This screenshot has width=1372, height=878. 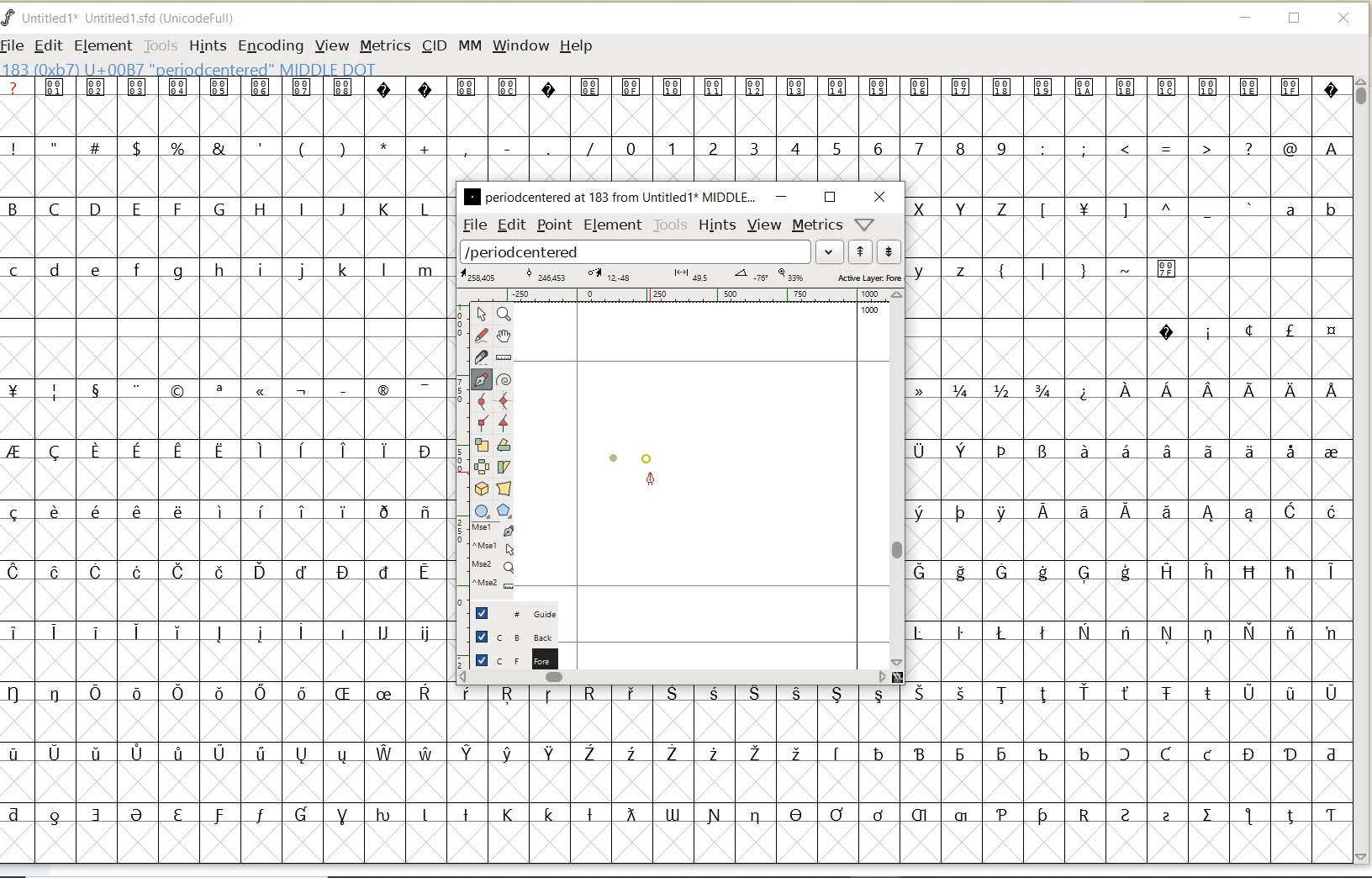 What do you see at coordinates (482, 378) in the screenshot?
I see `add a point, then drag out its control points` at bounding box center [482, 378].